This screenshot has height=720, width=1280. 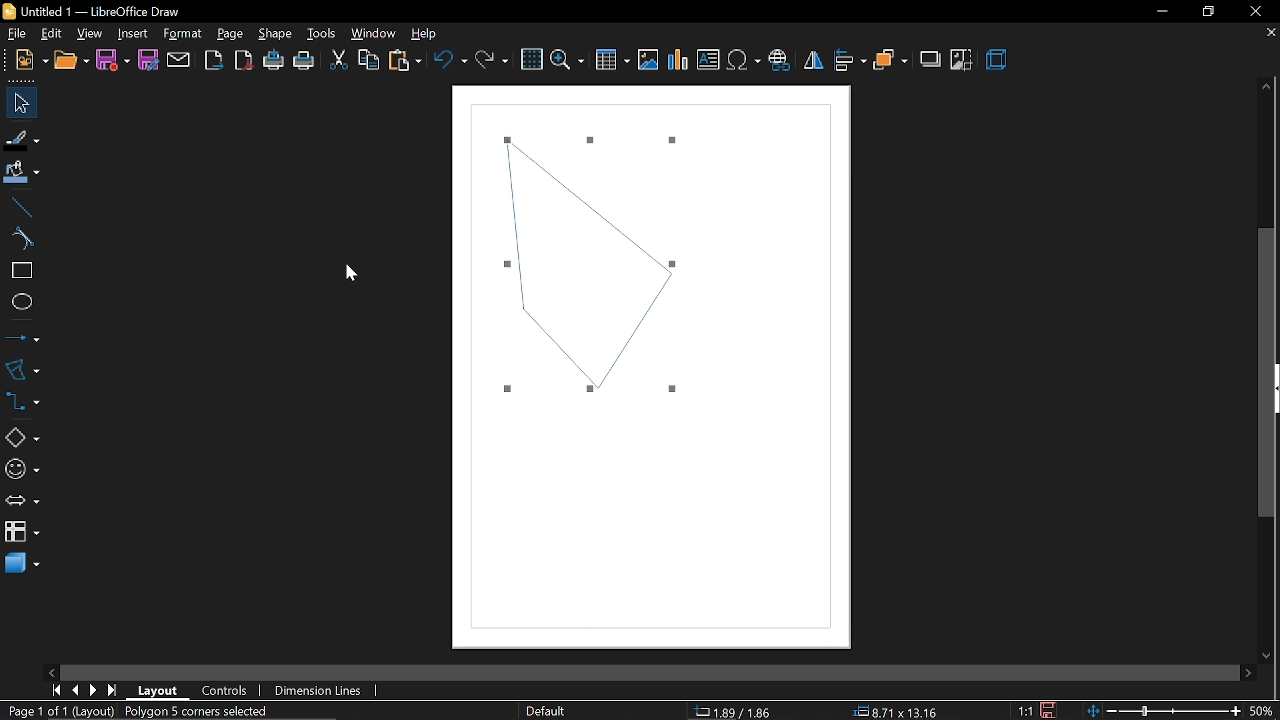 I want to click on curves and polygons, so click(x=22, y=369).